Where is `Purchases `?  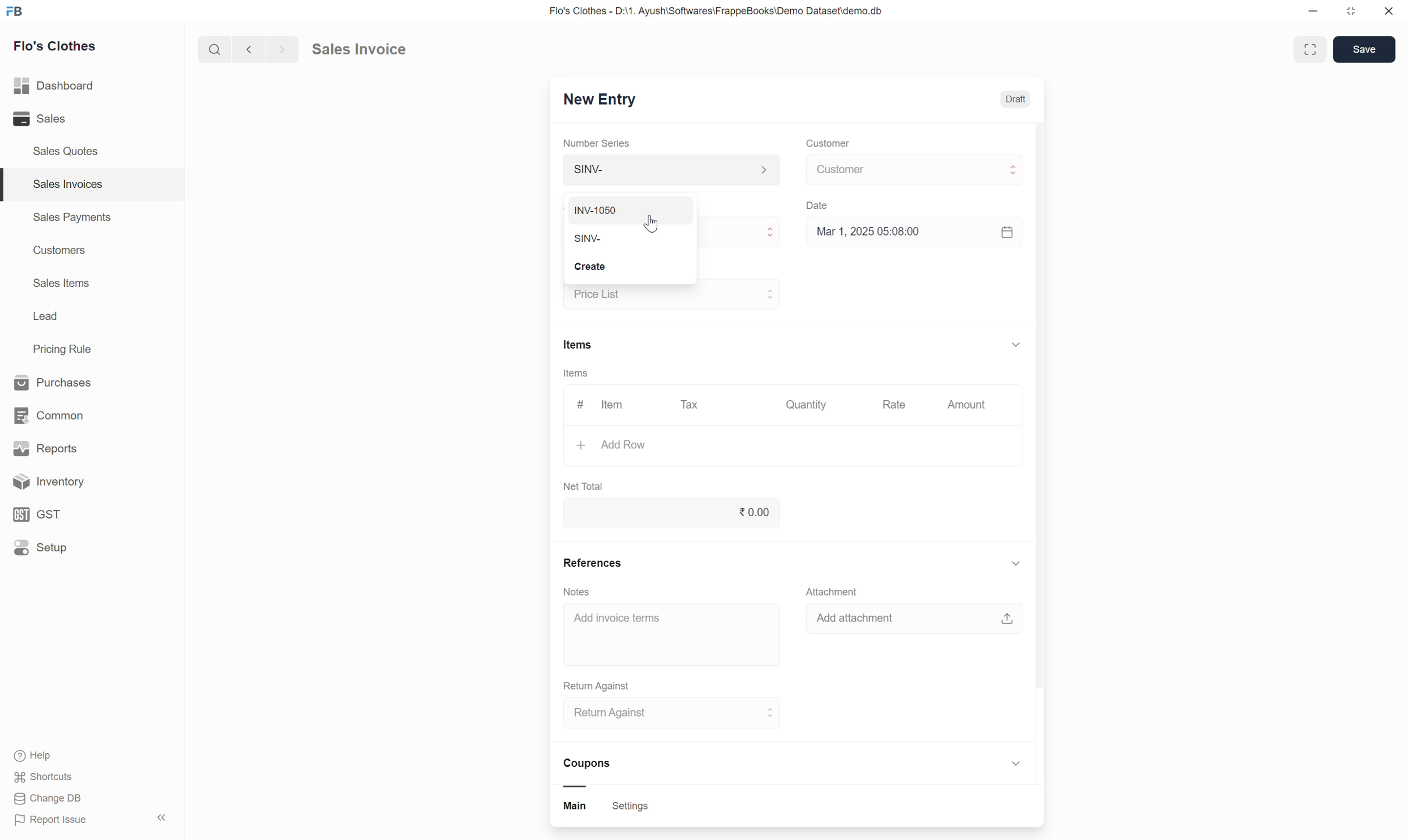
Purchases  is located at coordinates (71, 381).